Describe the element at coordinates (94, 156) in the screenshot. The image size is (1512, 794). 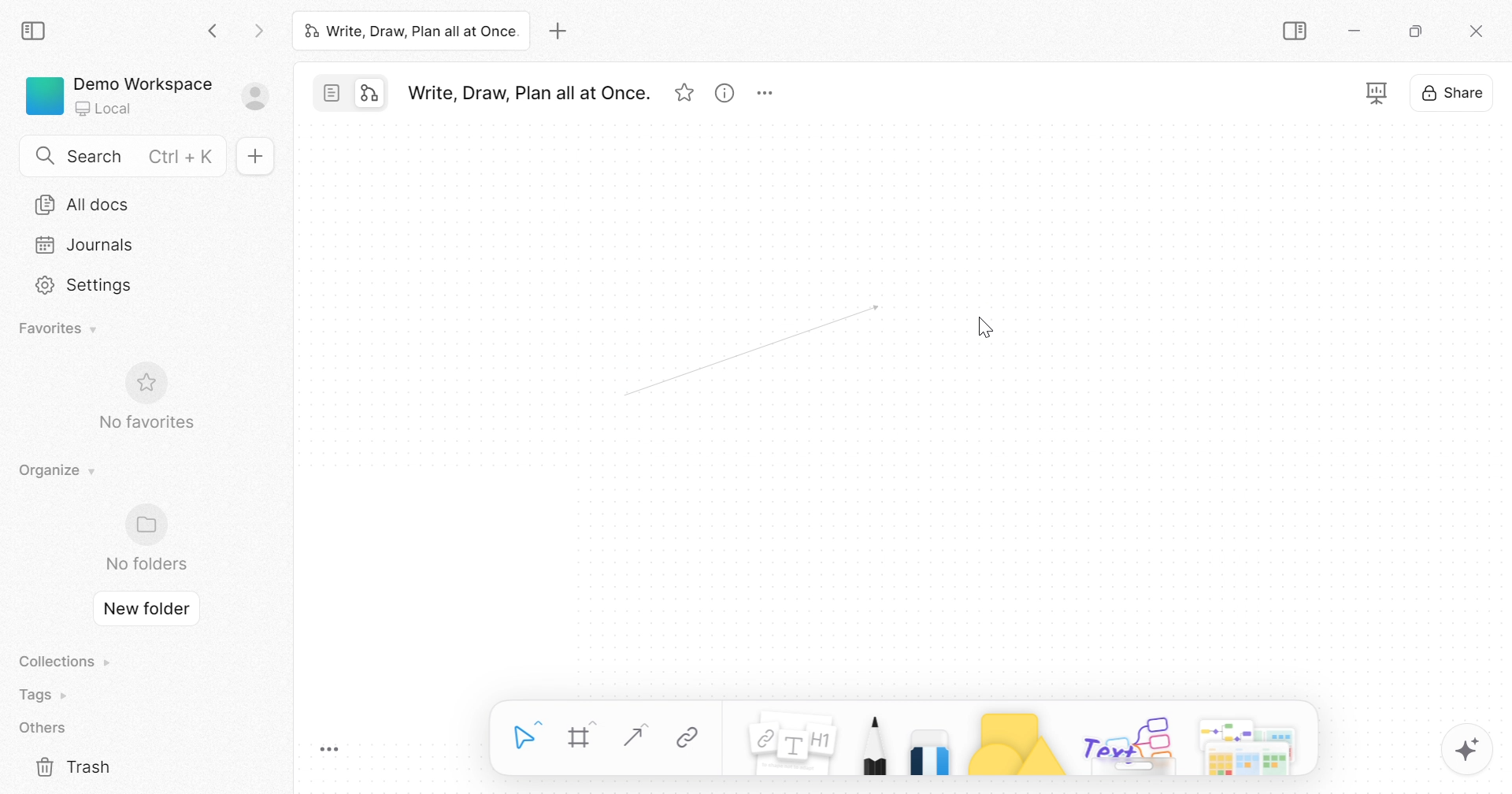
I see `Search` at that location.